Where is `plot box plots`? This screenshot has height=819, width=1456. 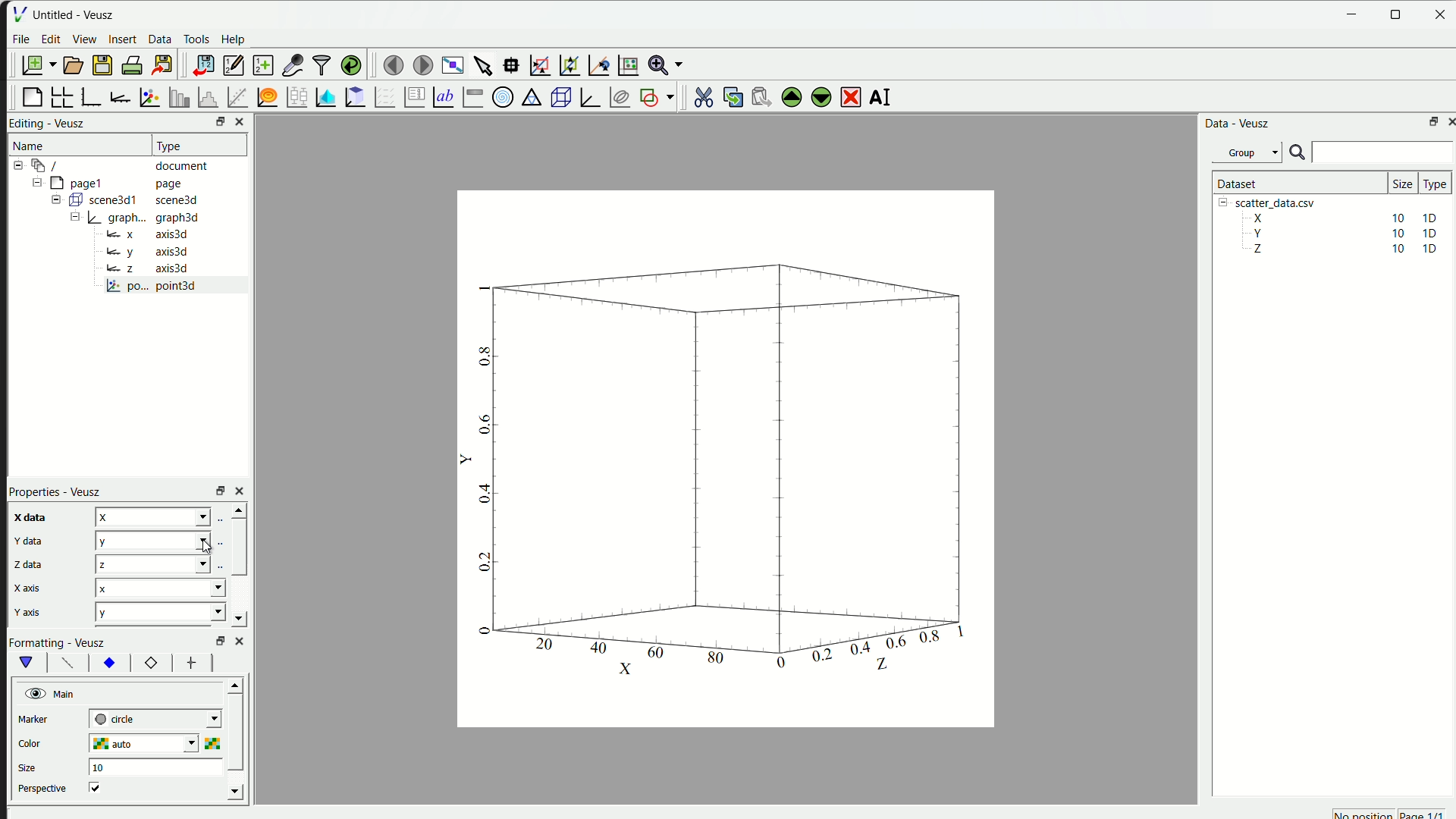
plot box plots is located at coordinates (293, 98).